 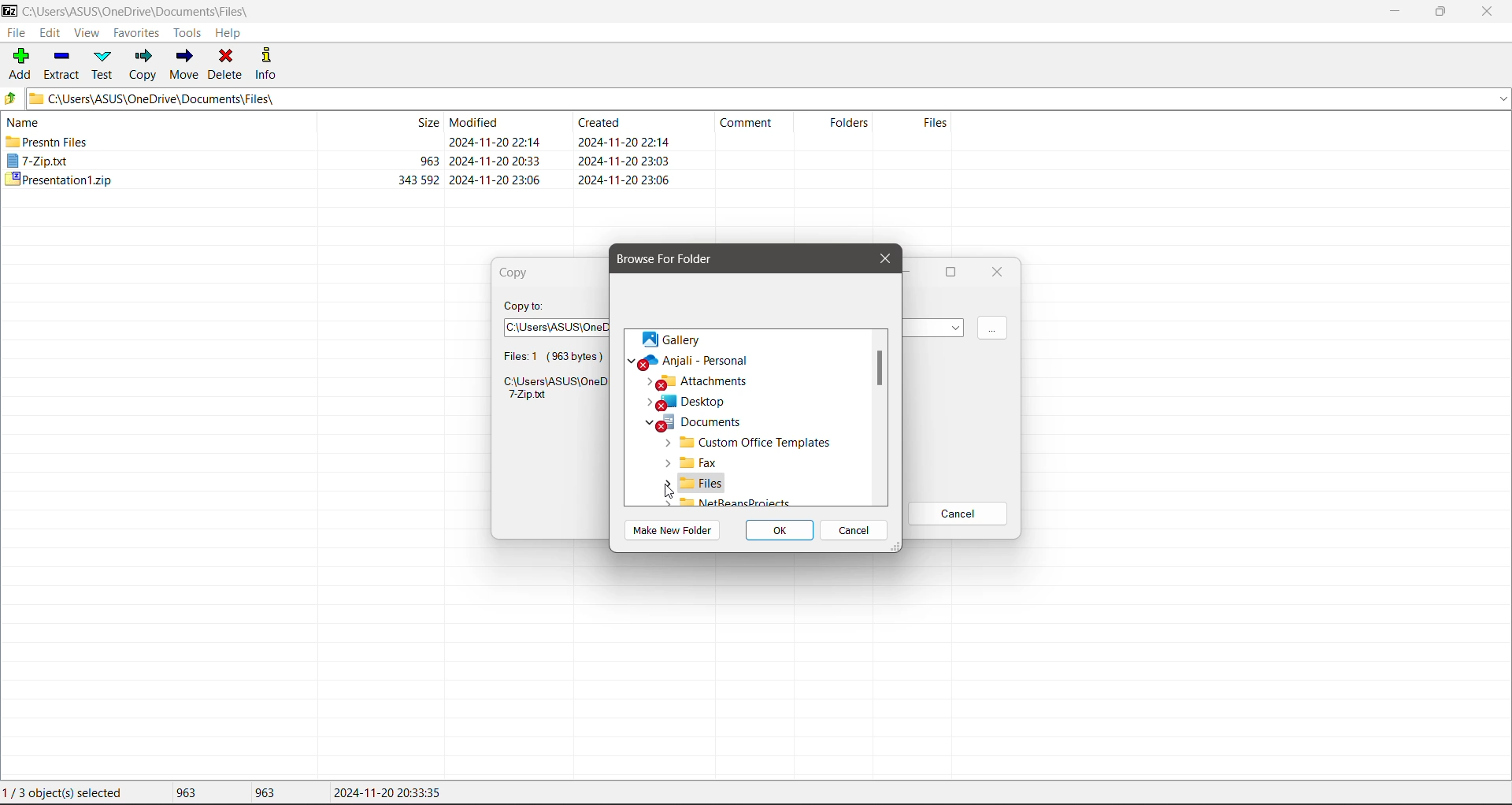 What do you see at coordinates (57, 180) in the screenshot?
I see `Presentation1.zip` at bounding box center [57, 180].